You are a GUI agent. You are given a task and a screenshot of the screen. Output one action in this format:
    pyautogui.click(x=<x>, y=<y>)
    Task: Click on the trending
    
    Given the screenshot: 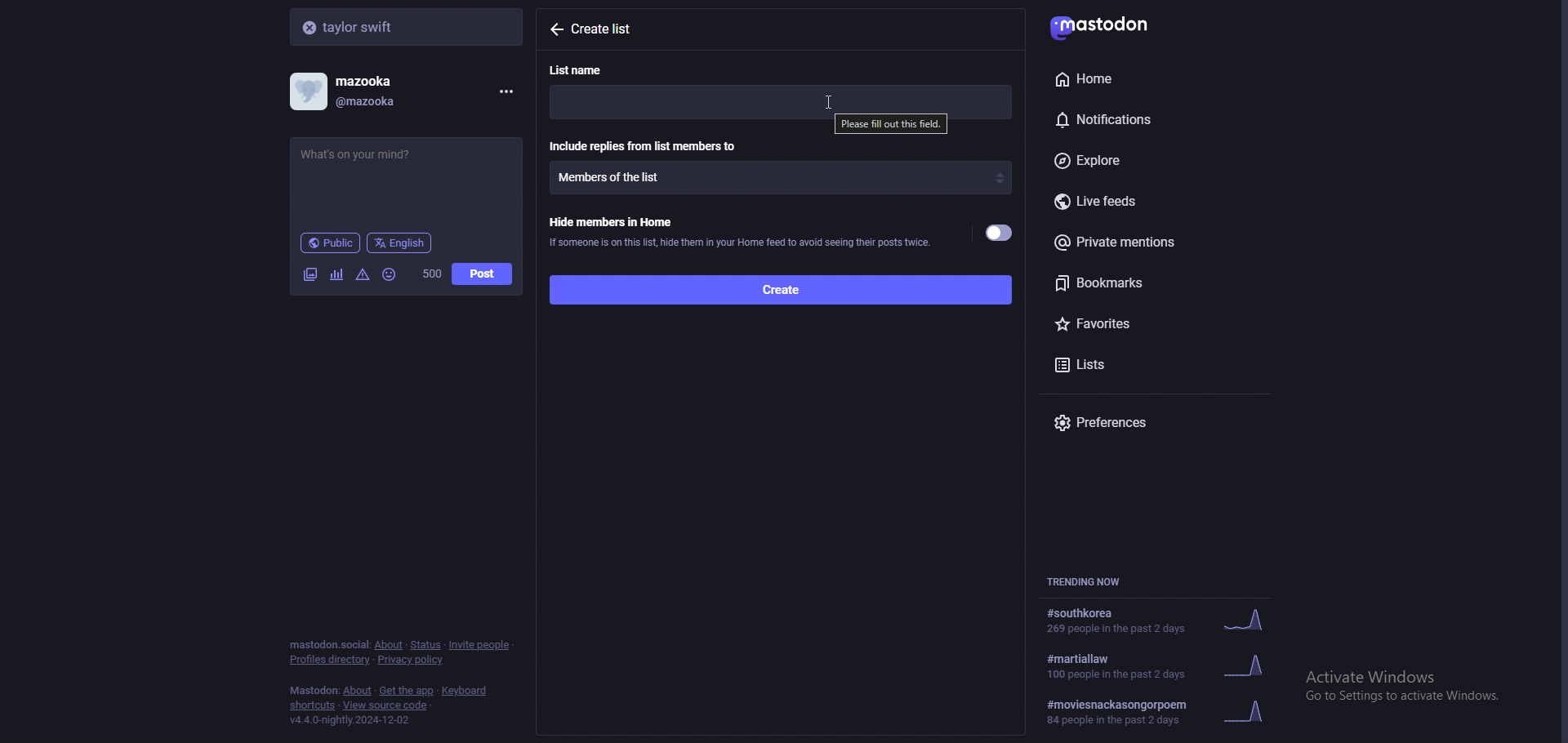 What is the action you would take?
    pyautogui.click(x=1168, y=665)
    